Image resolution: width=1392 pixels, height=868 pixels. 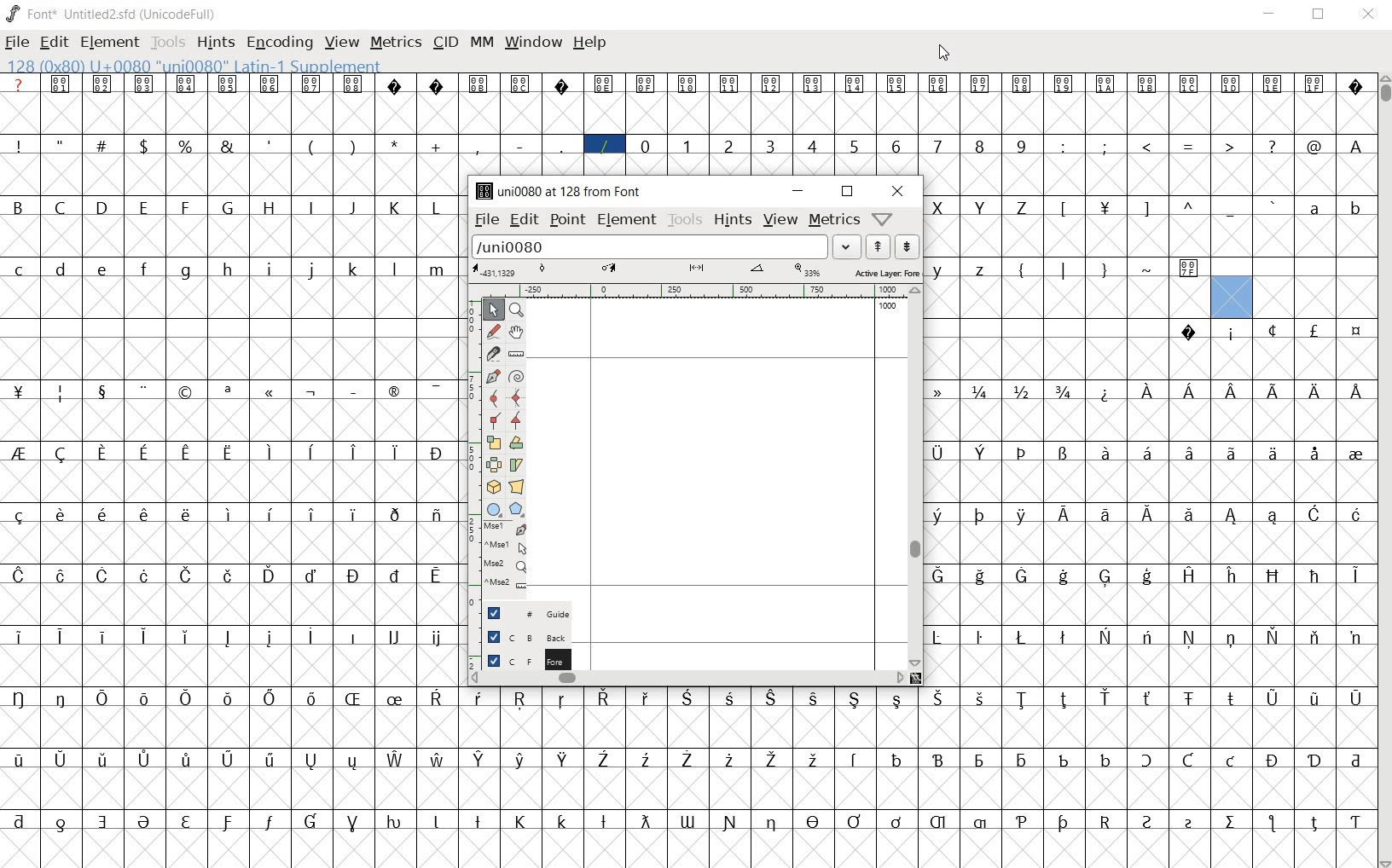 What do you see at coordinates (1147, 391) in the screenshot?
I see `glyph` at bounding box center [1147, 391].